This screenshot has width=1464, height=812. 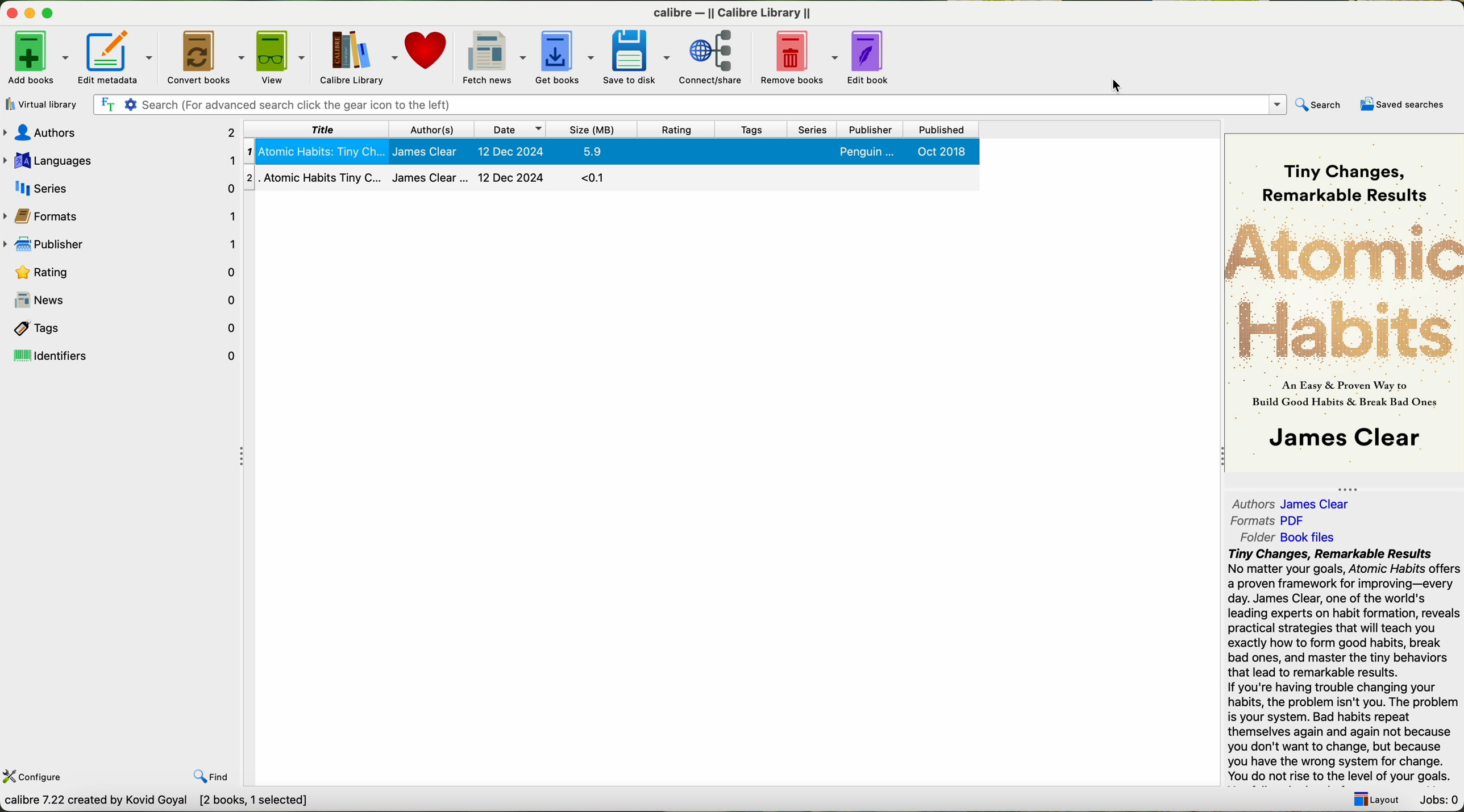 What do you see at coordinates (431, 177) in the screenshot?
I see `James Clear ` at bounding box center [431, 177].